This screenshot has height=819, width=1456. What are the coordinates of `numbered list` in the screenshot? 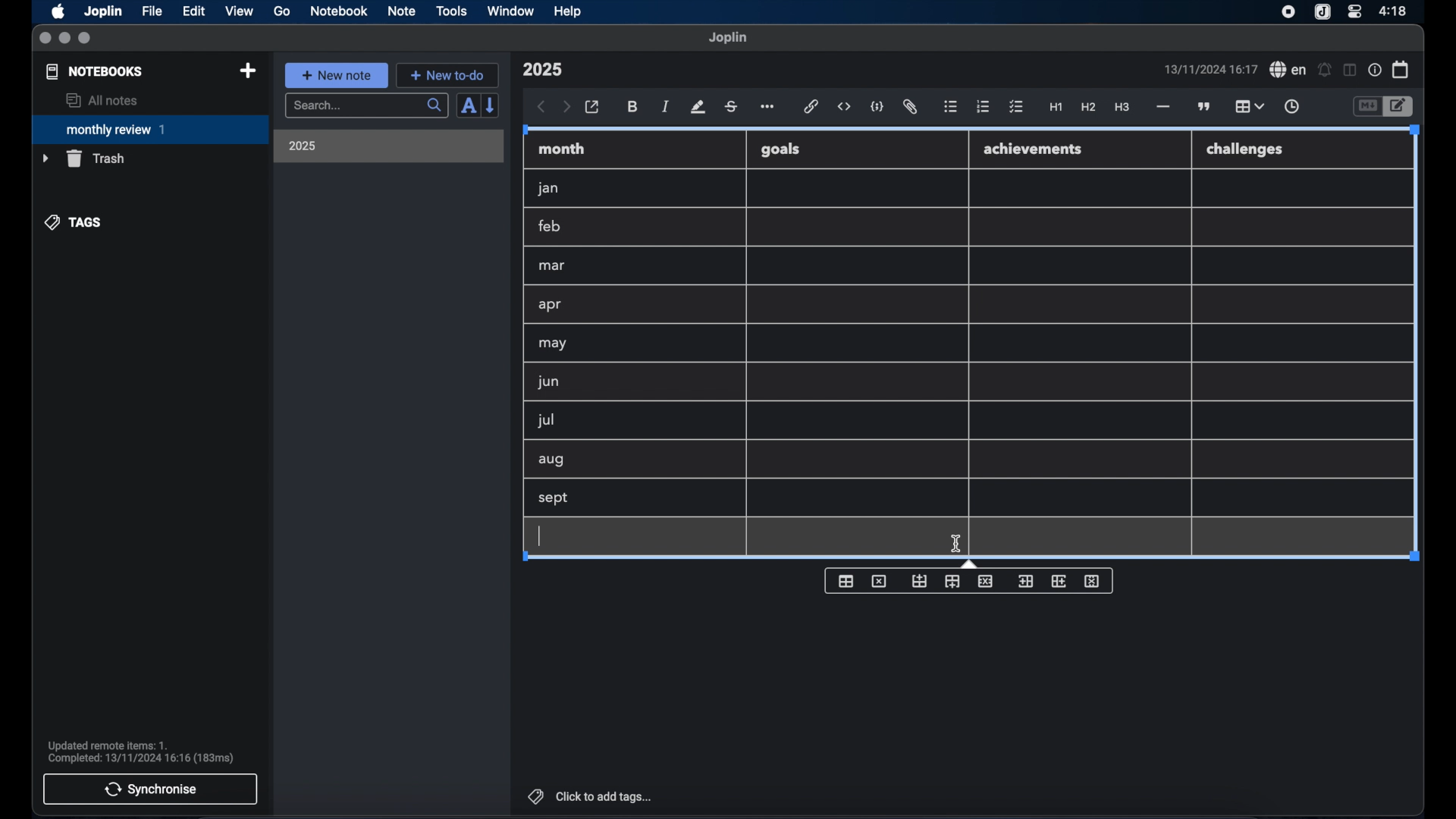 It's located at (983, 106).